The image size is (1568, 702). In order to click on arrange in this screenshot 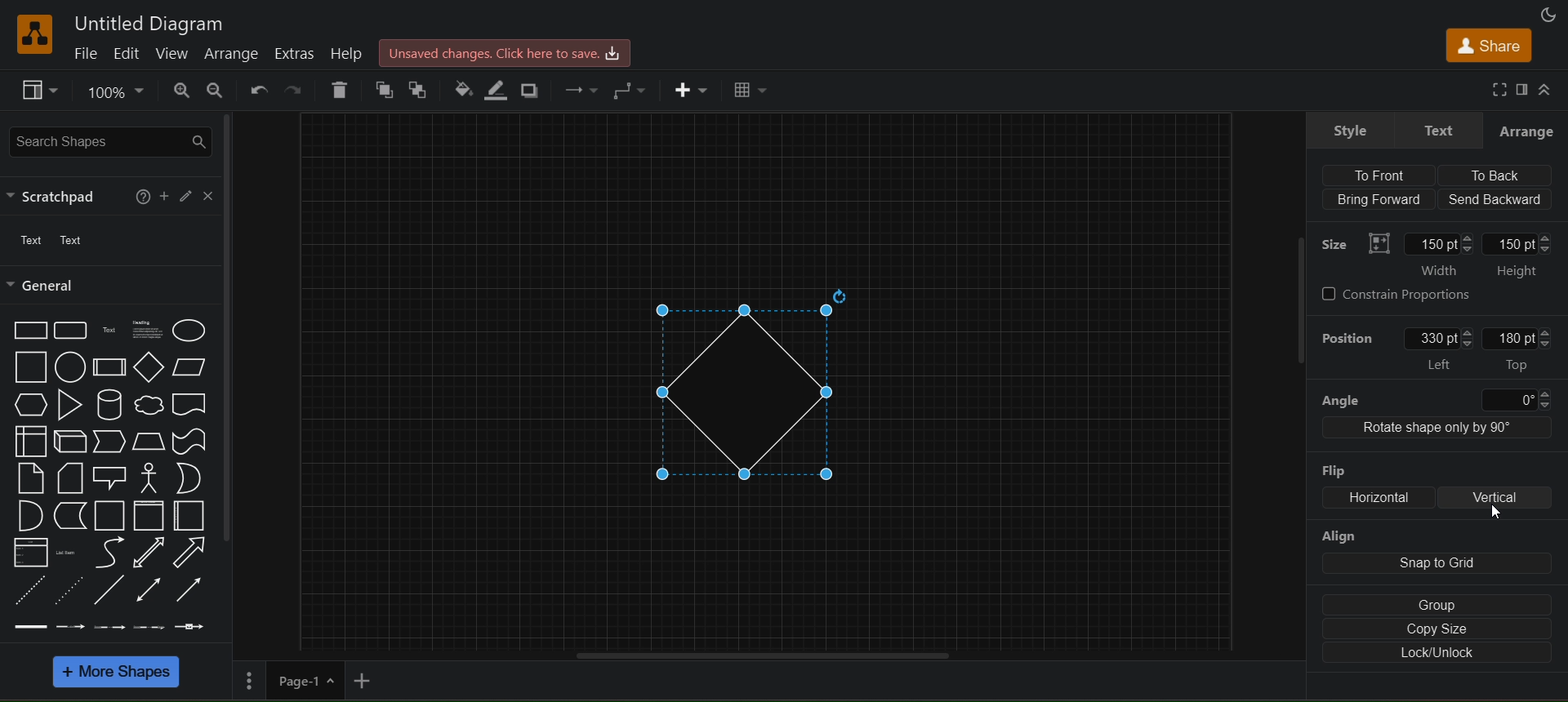, I will do `click(1528, 128)`.